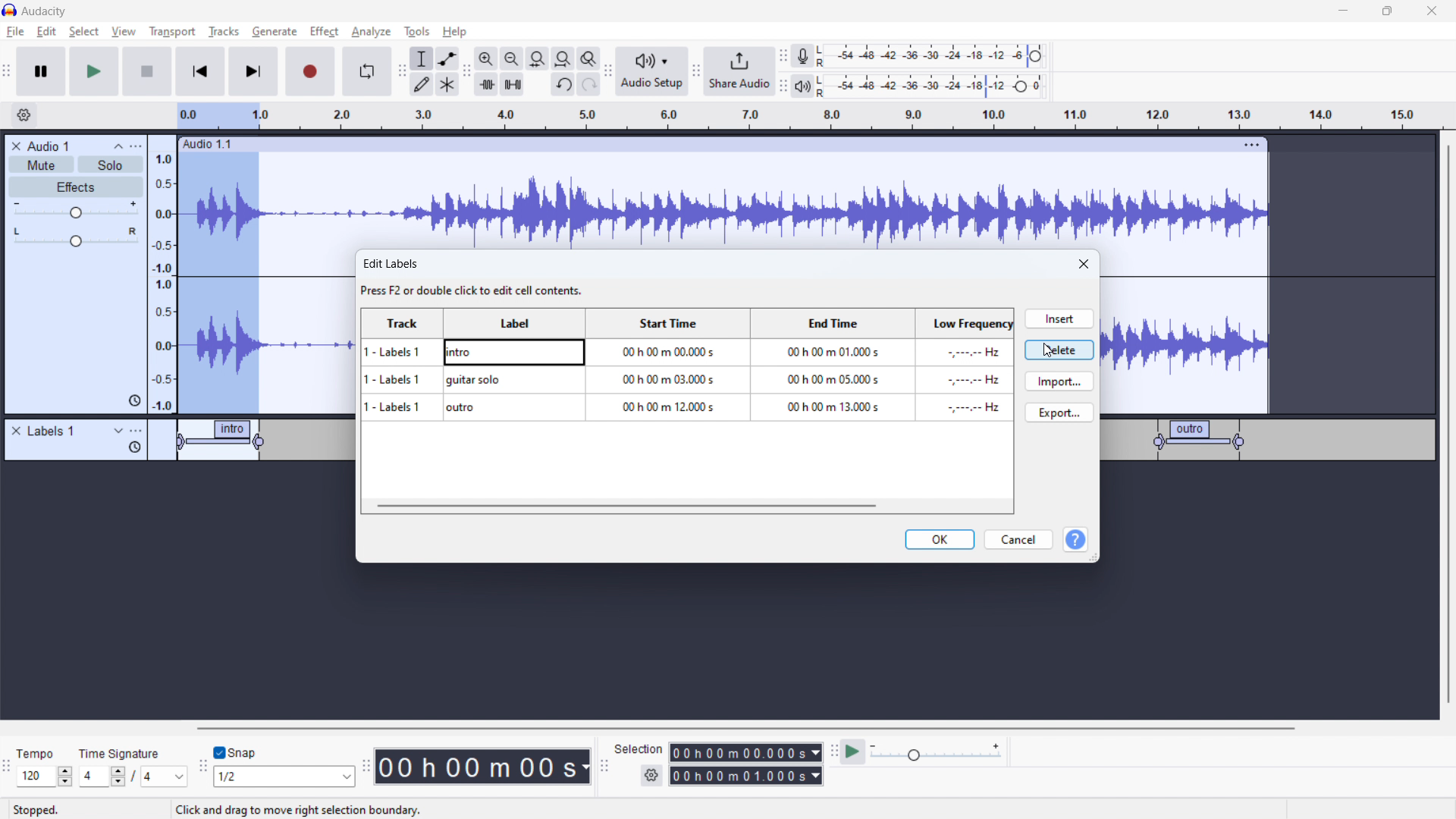  I want to click on timeline settings, so click(24, 116).